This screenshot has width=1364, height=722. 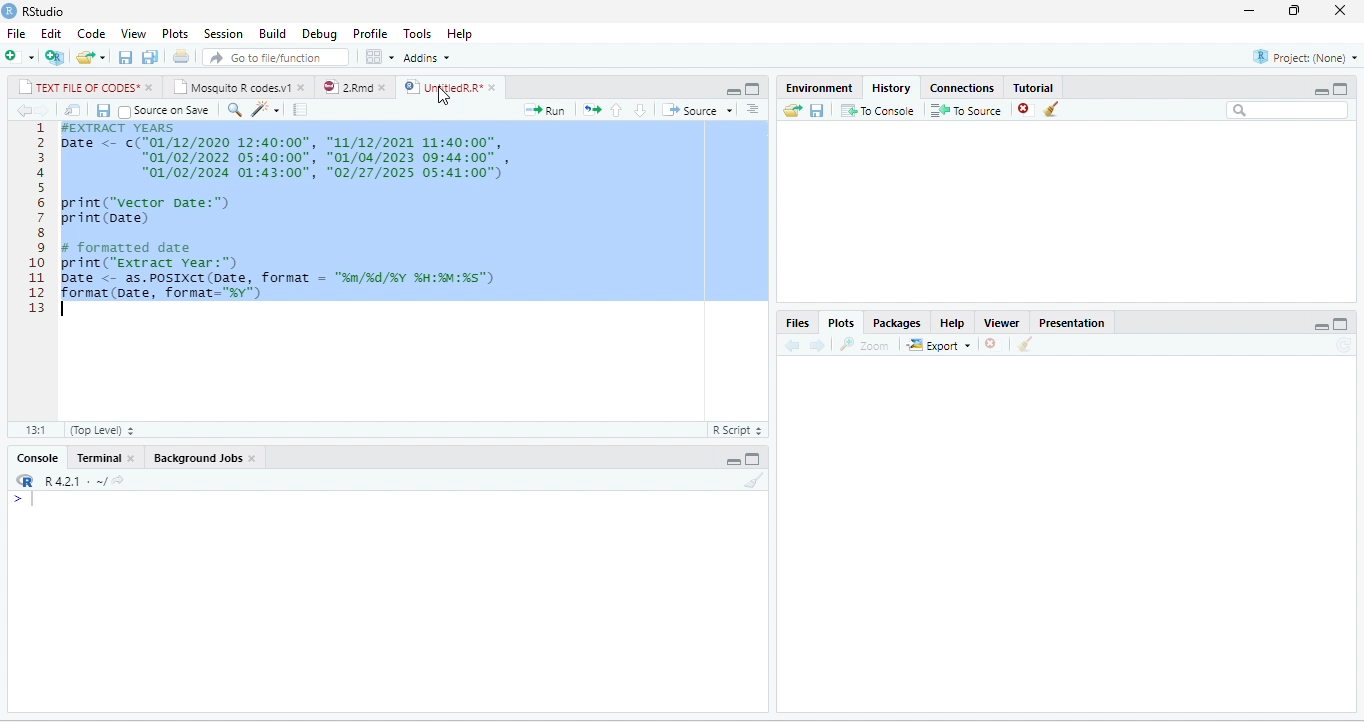 I want to click on maximize, so click(x=1341, y=324).